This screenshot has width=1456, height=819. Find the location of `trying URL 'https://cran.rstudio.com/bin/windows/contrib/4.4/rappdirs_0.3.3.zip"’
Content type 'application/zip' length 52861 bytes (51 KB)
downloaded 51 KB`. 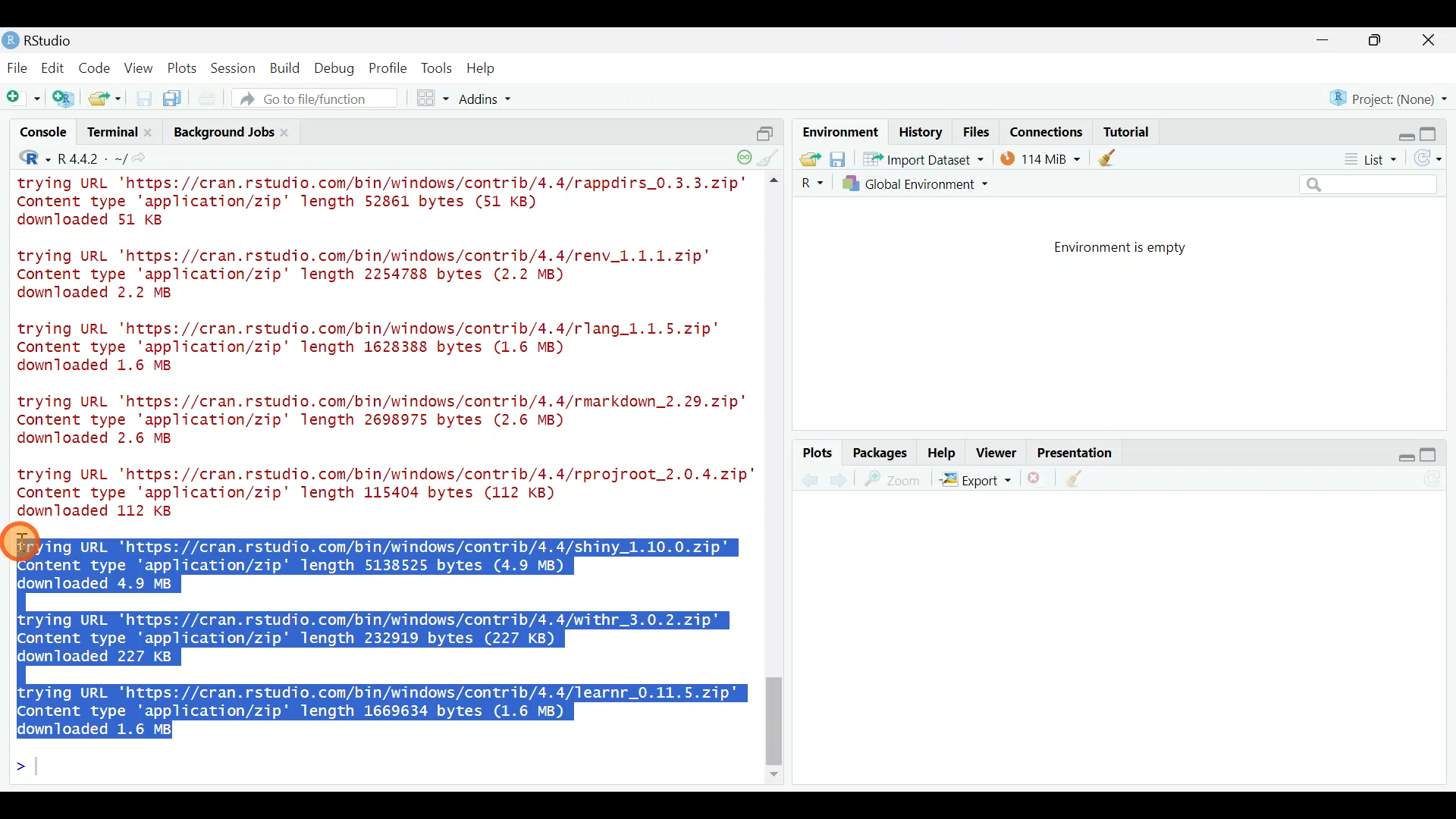

trying URL 'https://cran.rstudio.com/bin/windows/contrib/4.4/rappdirs_0.3.3.zip"’
Content type 'application/zip' length 52861 bytes (51 KB)
downloaded 51 KB is located at coordinates (385, 204).